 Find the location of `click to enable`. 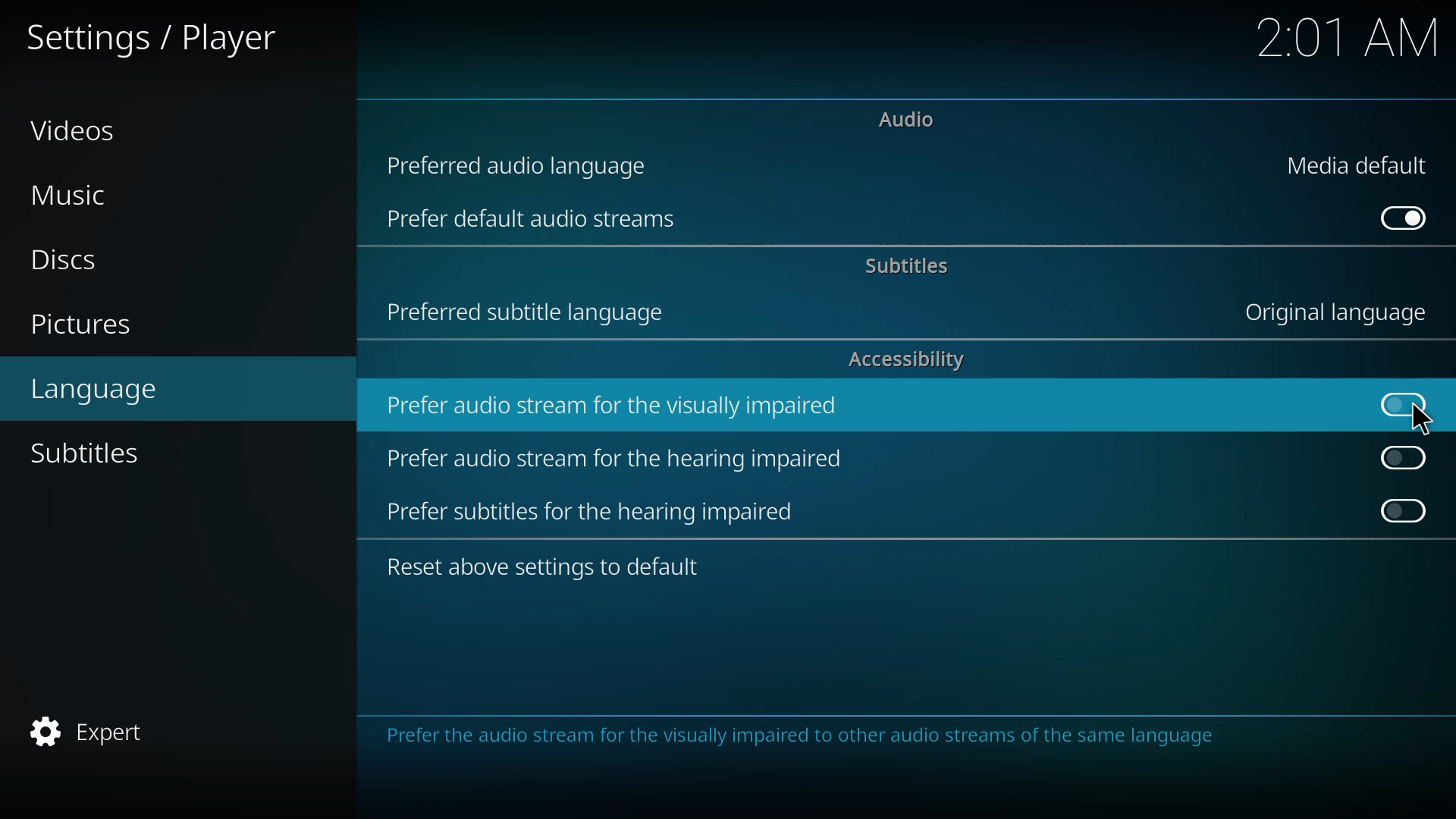

click to enable is located at coordinates (1398, 457).